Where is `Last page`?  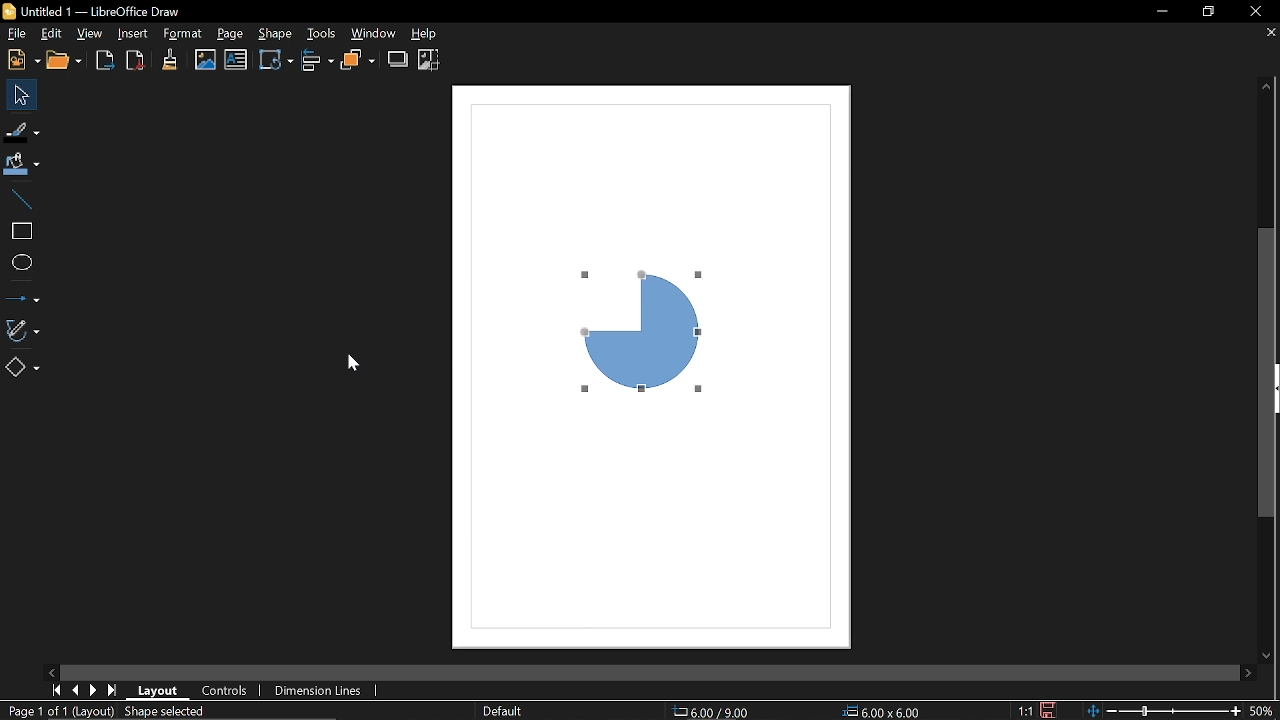
Last page is located at coordinates (112, 690).